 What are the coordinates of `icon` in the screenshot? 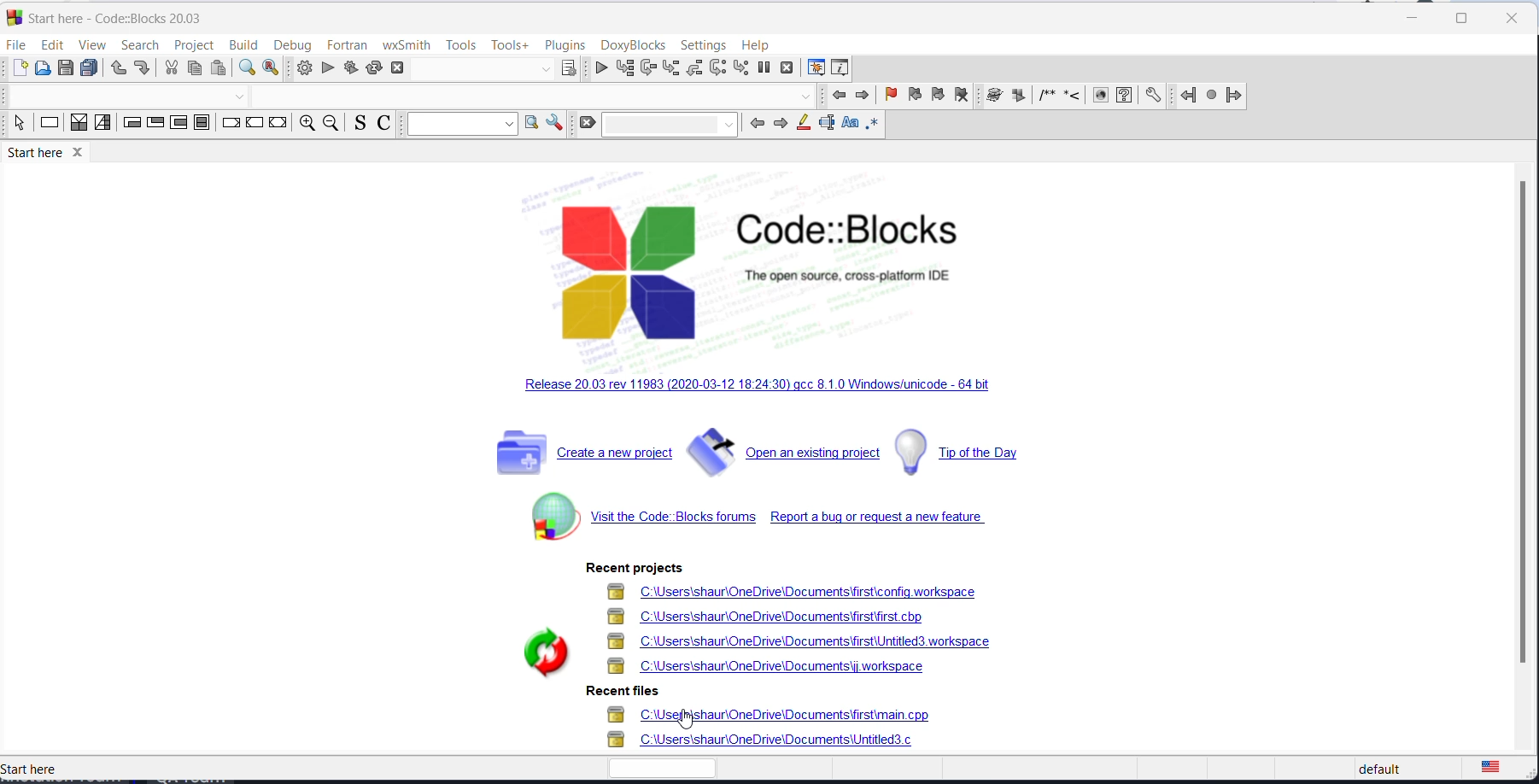 It's located at (1100, 97).